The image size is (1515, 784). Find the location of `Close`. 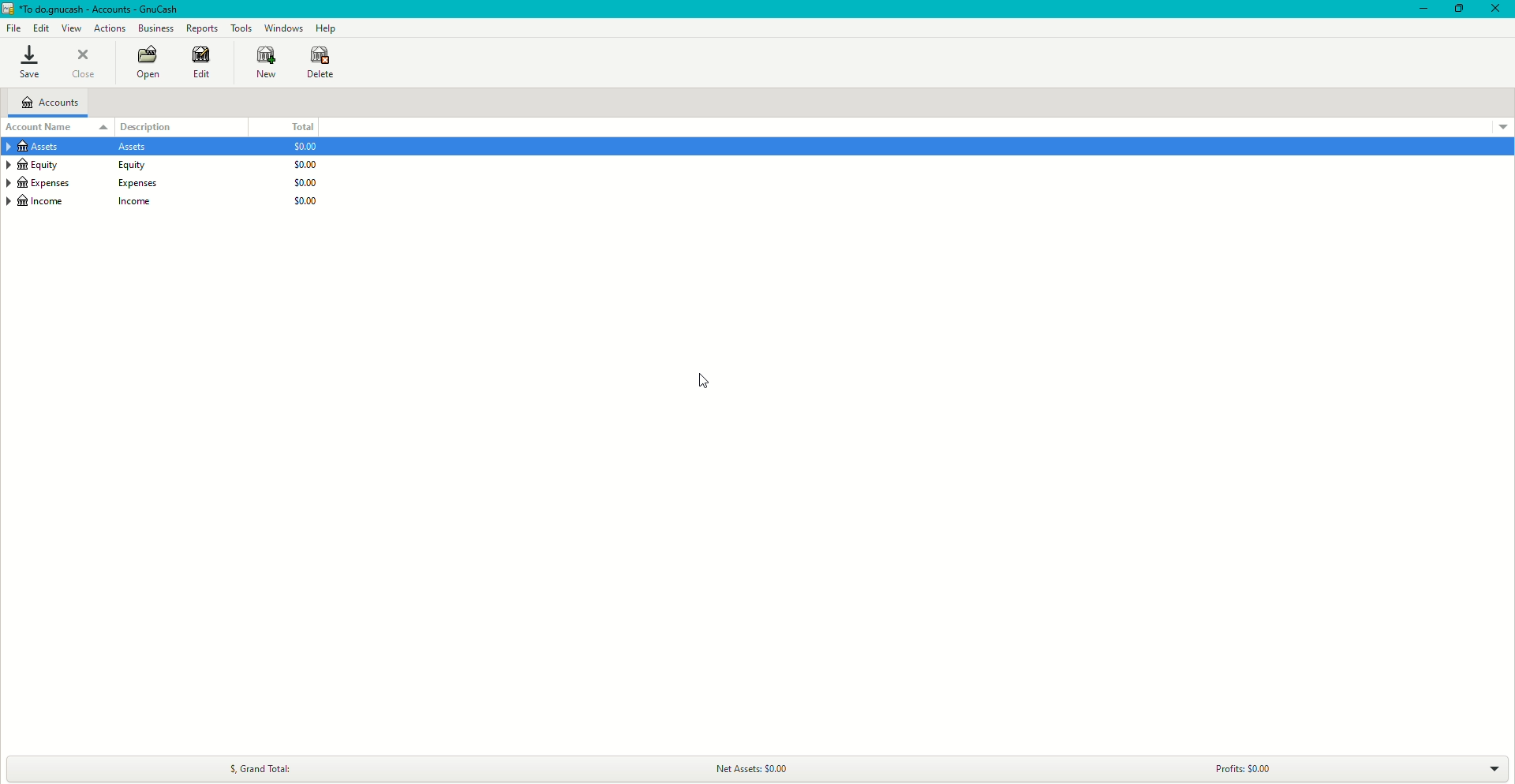

Close is located at coordinates (1495, 9).